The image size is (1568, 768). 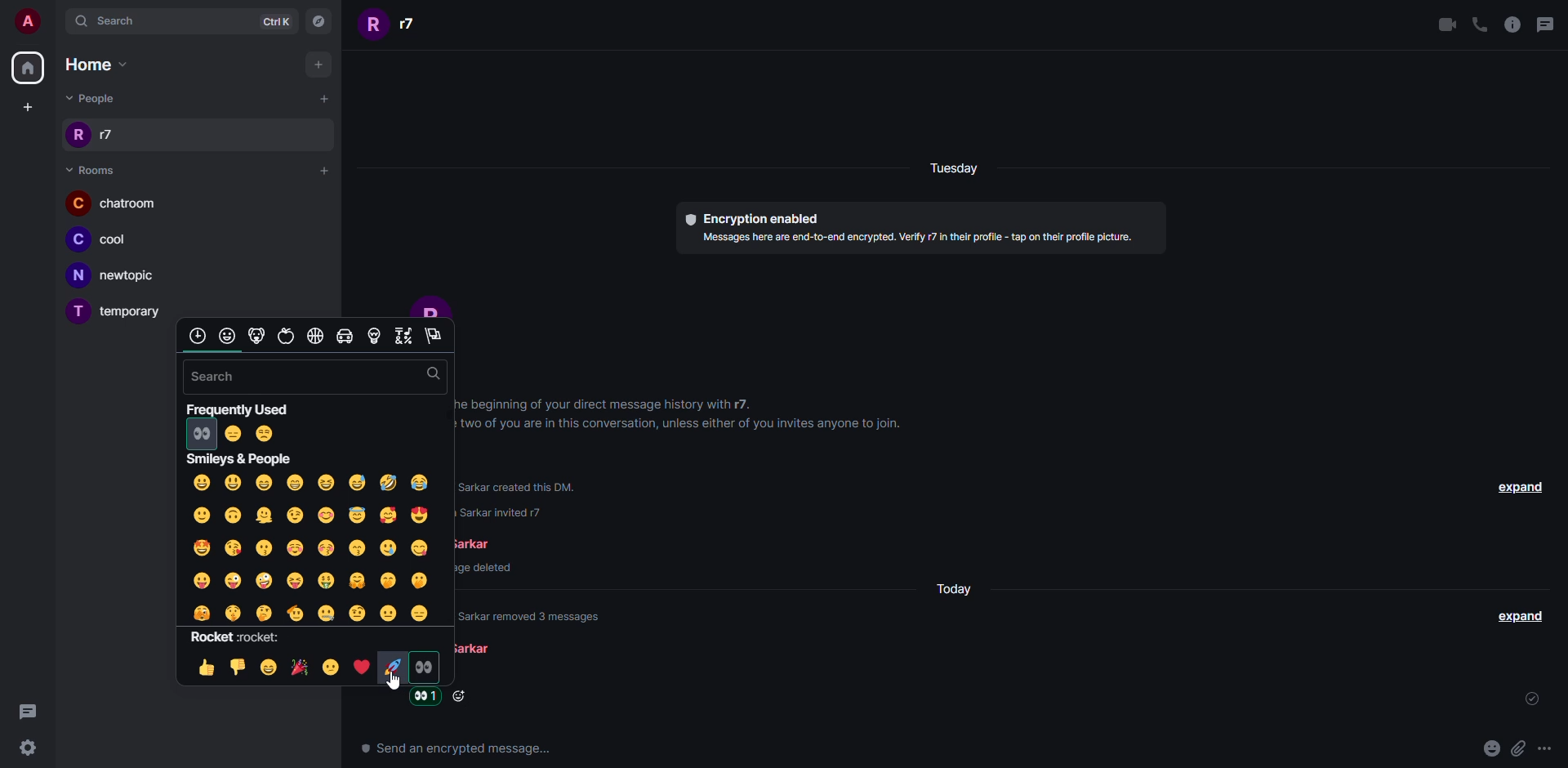 I want to click on frequently used emojis, so click(x=233, y=434).